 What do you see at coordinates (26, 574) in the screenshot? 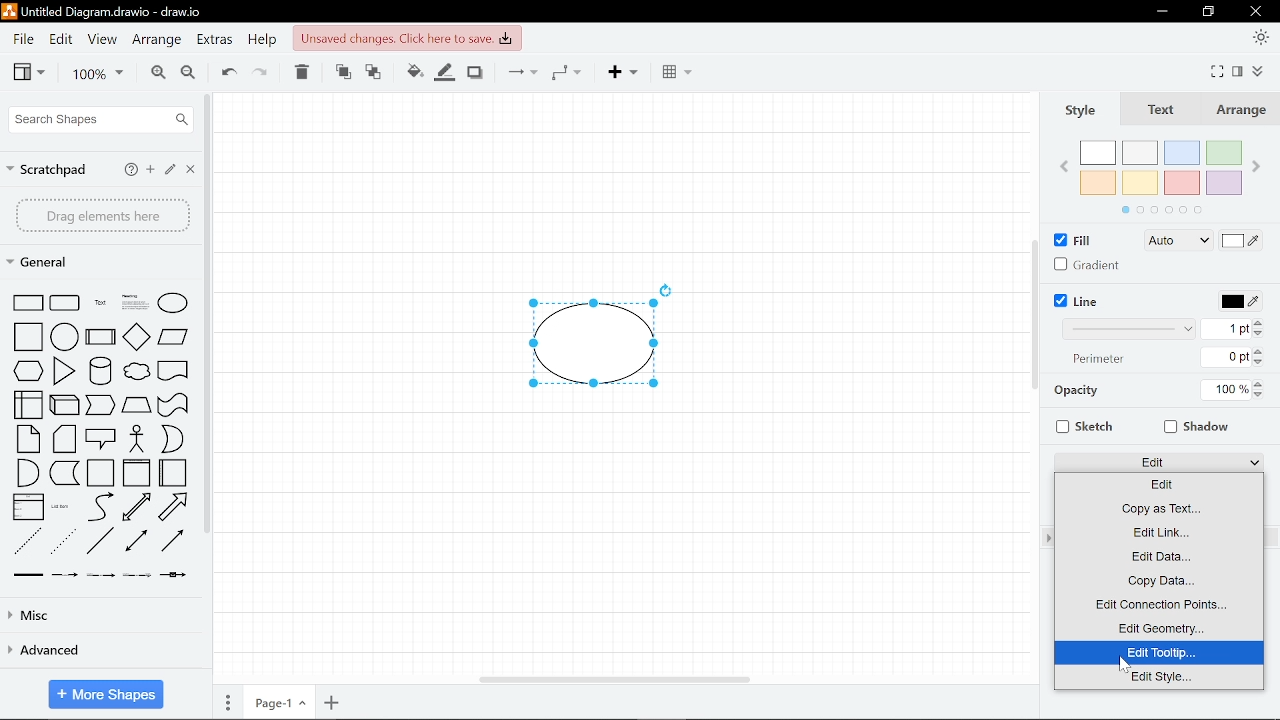
I see `link` at bounding box center [26, 574].